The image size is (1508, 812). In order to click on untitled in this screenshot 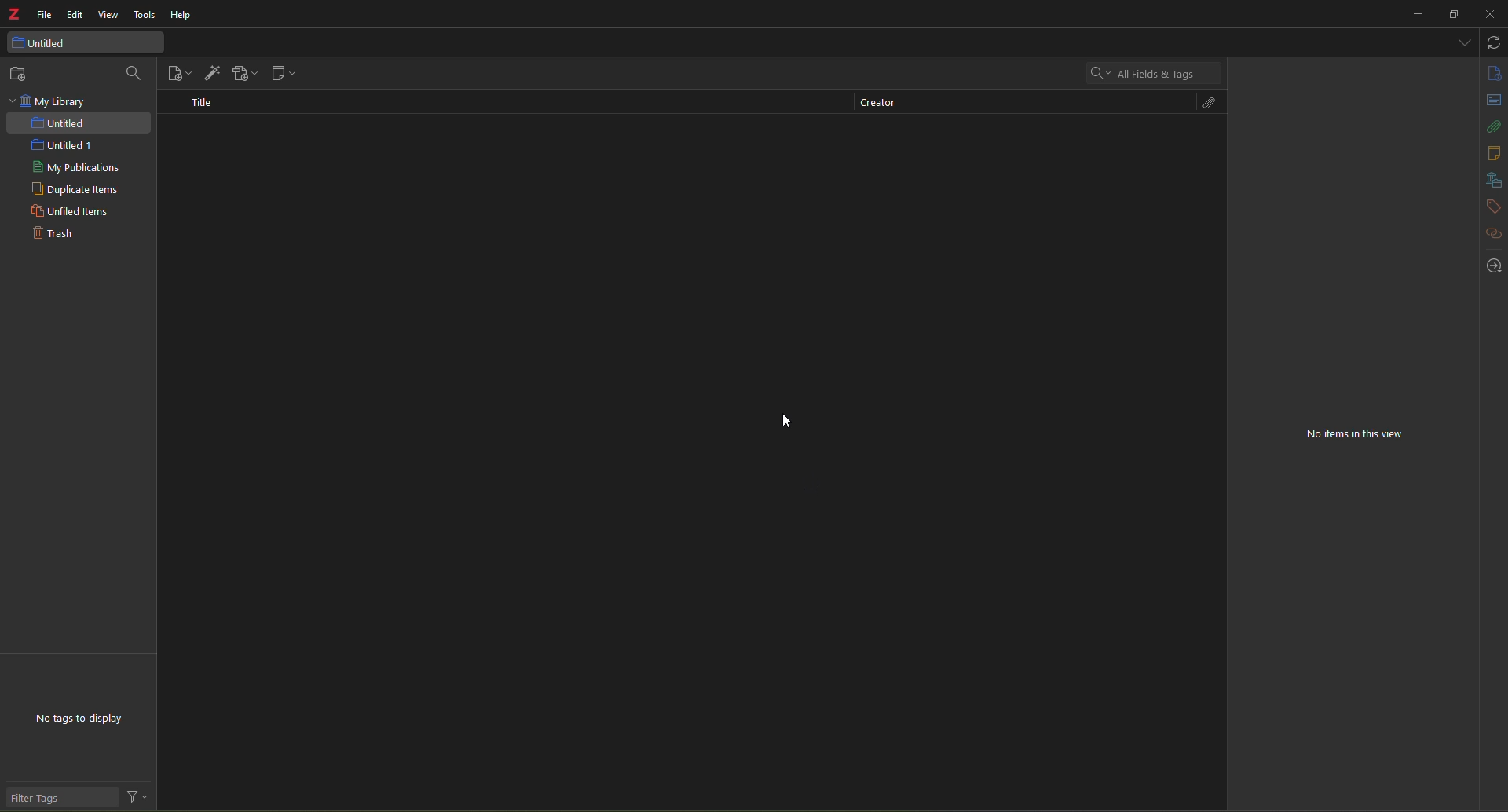, I will do `click(1287, 280)`.